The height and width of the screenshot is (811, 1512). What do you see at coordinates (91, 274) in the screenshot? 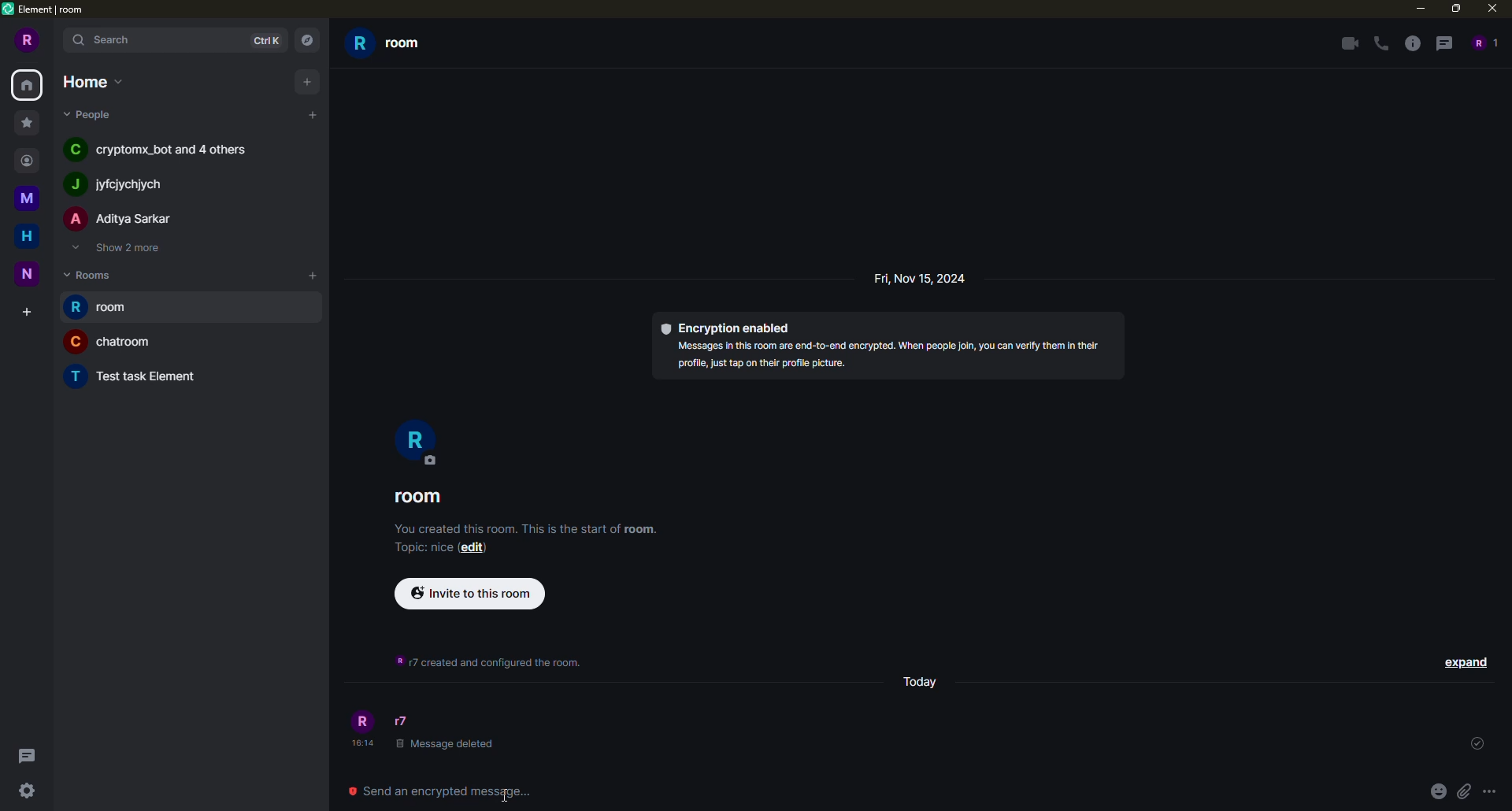
I see `rooms` at bounding box center [91, 274].